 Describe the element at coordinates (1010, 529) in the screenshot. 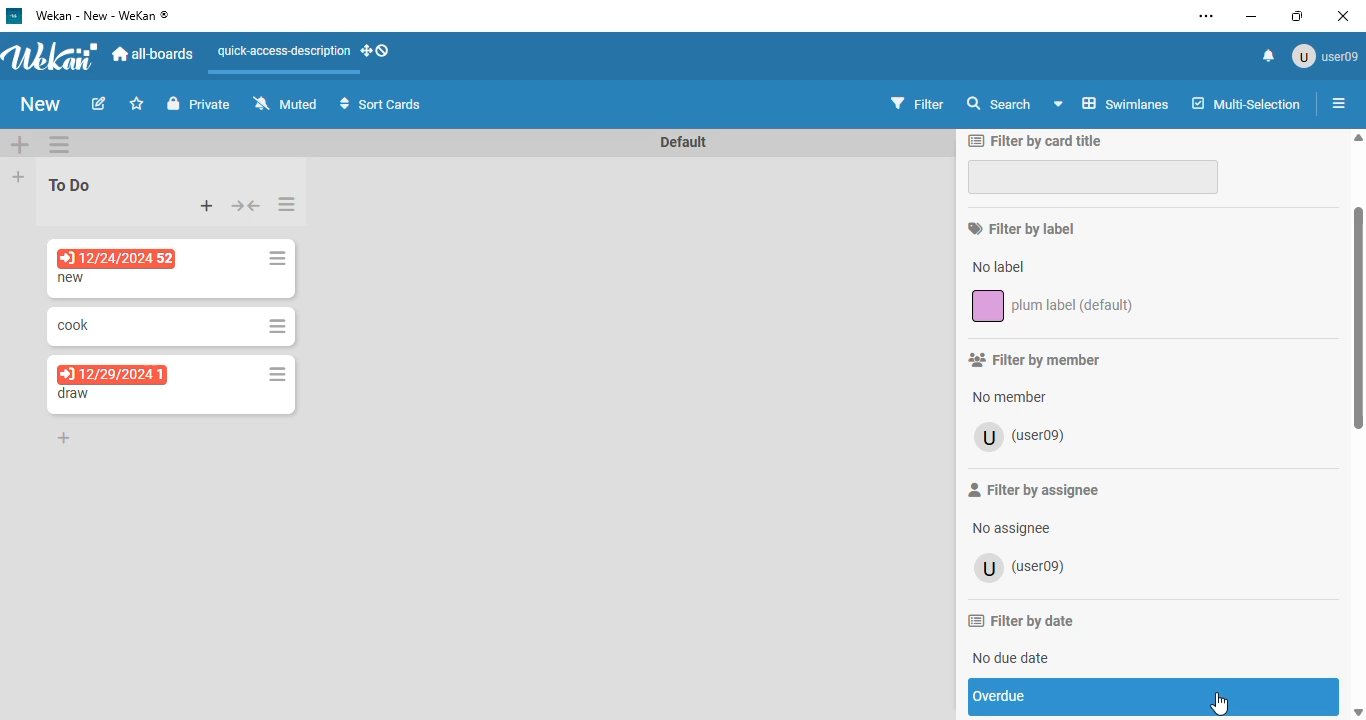

I see `no assignee` at that location.